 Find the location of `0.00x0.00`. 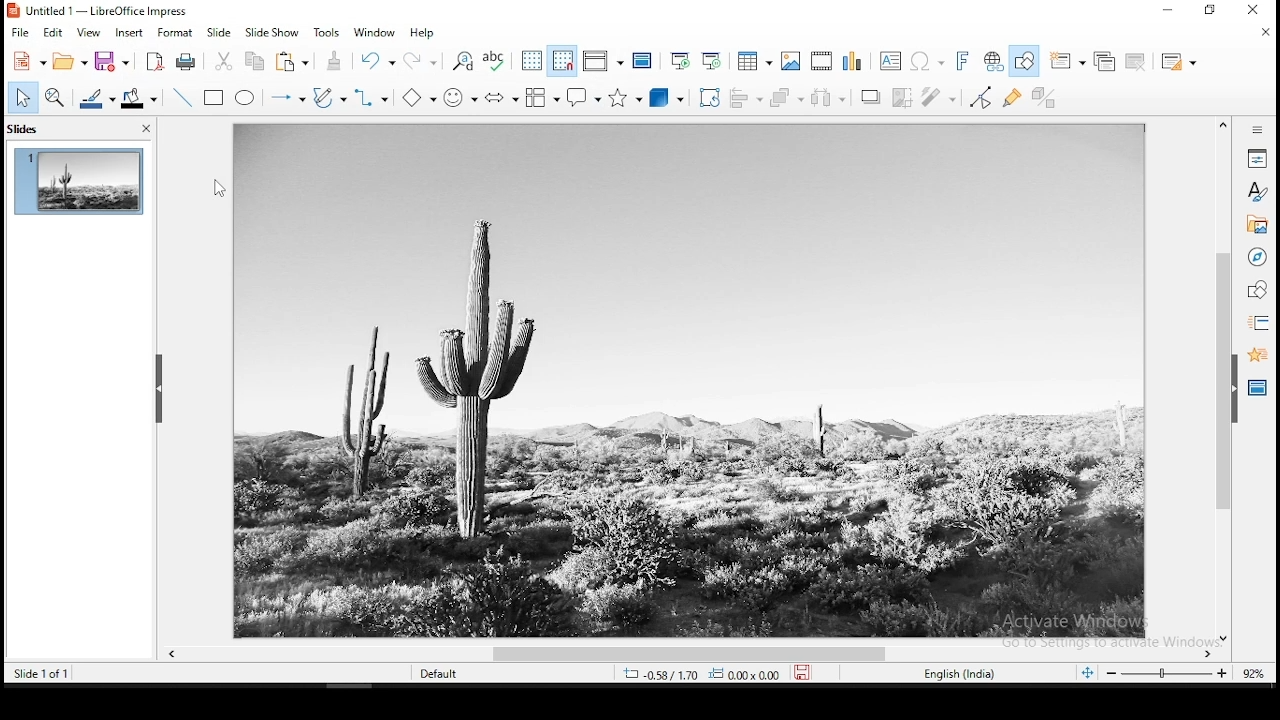

0.00x0.00 is located at coordinates (746, 675).